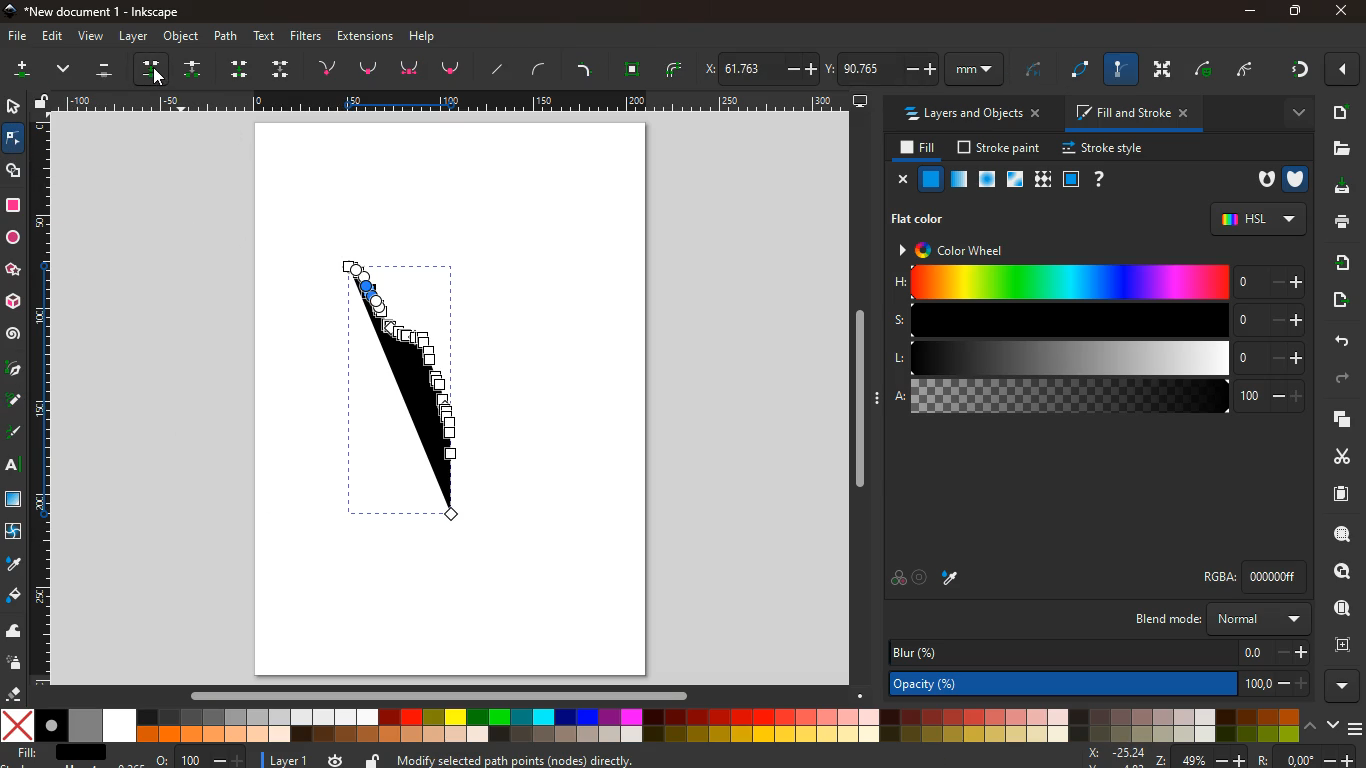 The width and height of the screenshot is (1366, 768). What do you see at coordinates (963, 249) in the screenshot?
I see `color wheel` at bounding box center [963, 249].